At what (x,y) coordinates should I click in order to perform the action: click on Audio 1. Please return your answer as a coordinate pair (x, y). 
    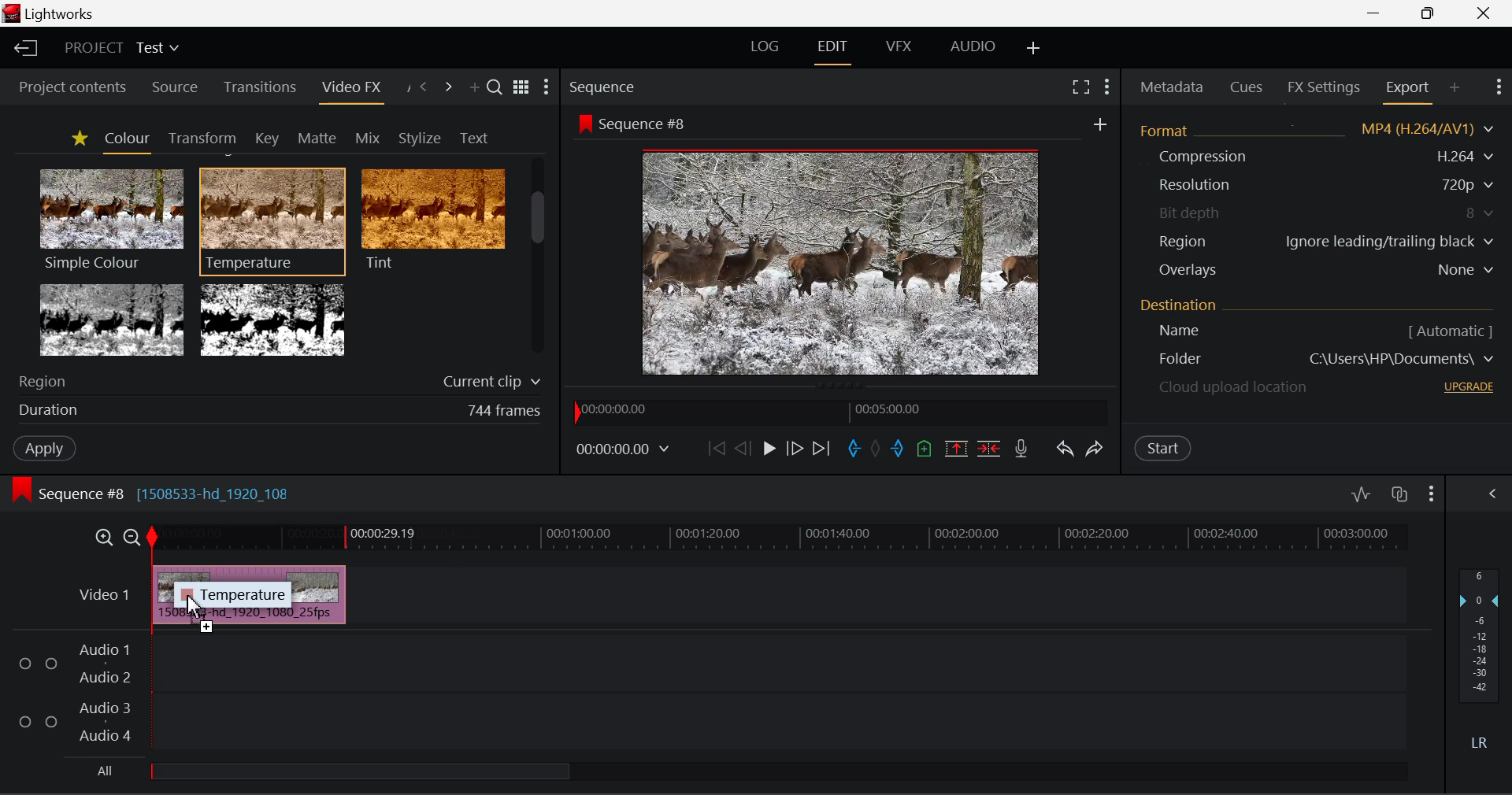
    Looking at the image, I should click on (102, 651).